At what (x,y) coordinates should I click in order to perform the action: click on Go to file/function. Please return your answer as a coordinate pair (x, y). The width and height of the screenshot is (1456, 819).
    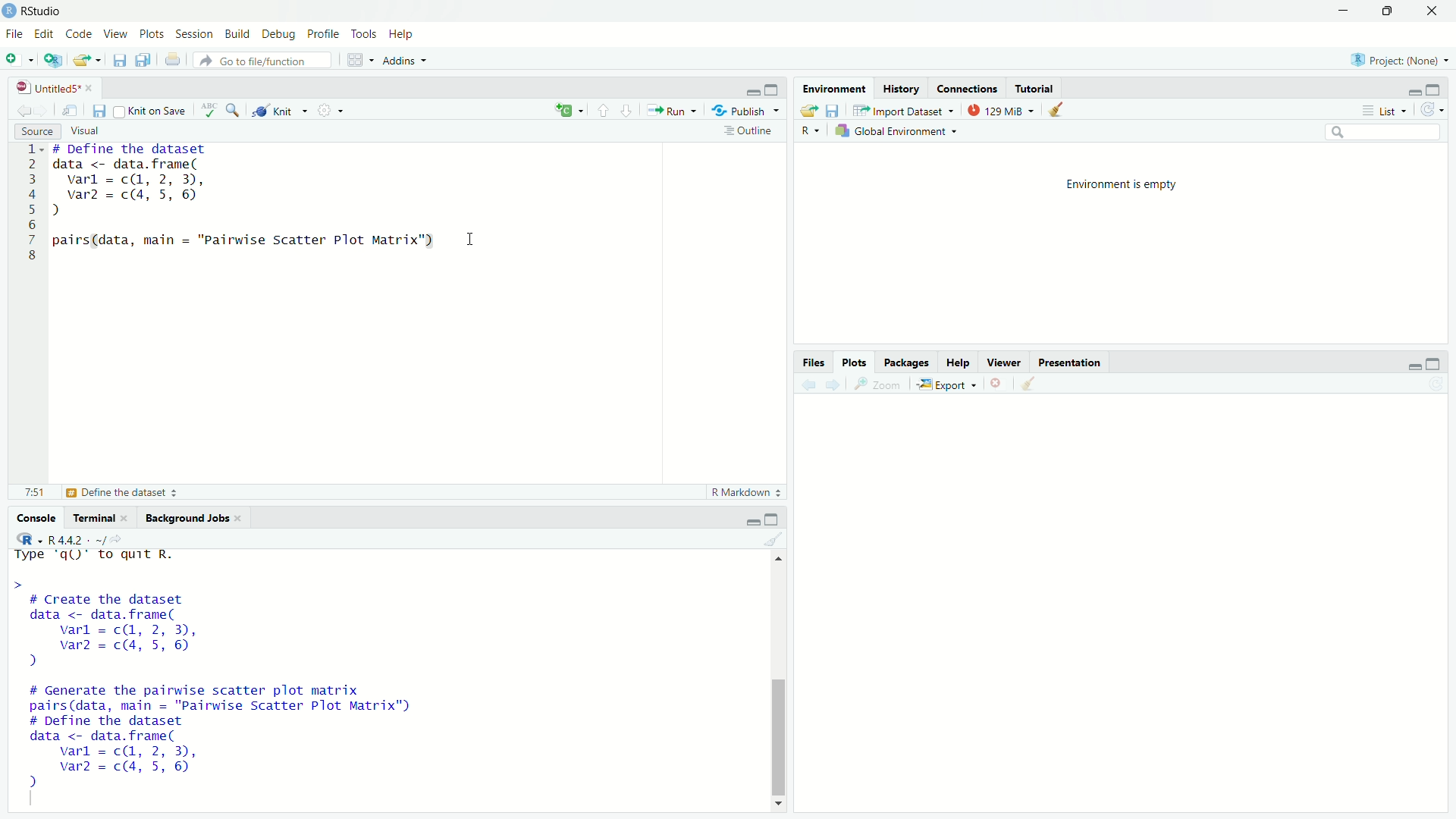
    Looking at the image, I should click on (262, 59).